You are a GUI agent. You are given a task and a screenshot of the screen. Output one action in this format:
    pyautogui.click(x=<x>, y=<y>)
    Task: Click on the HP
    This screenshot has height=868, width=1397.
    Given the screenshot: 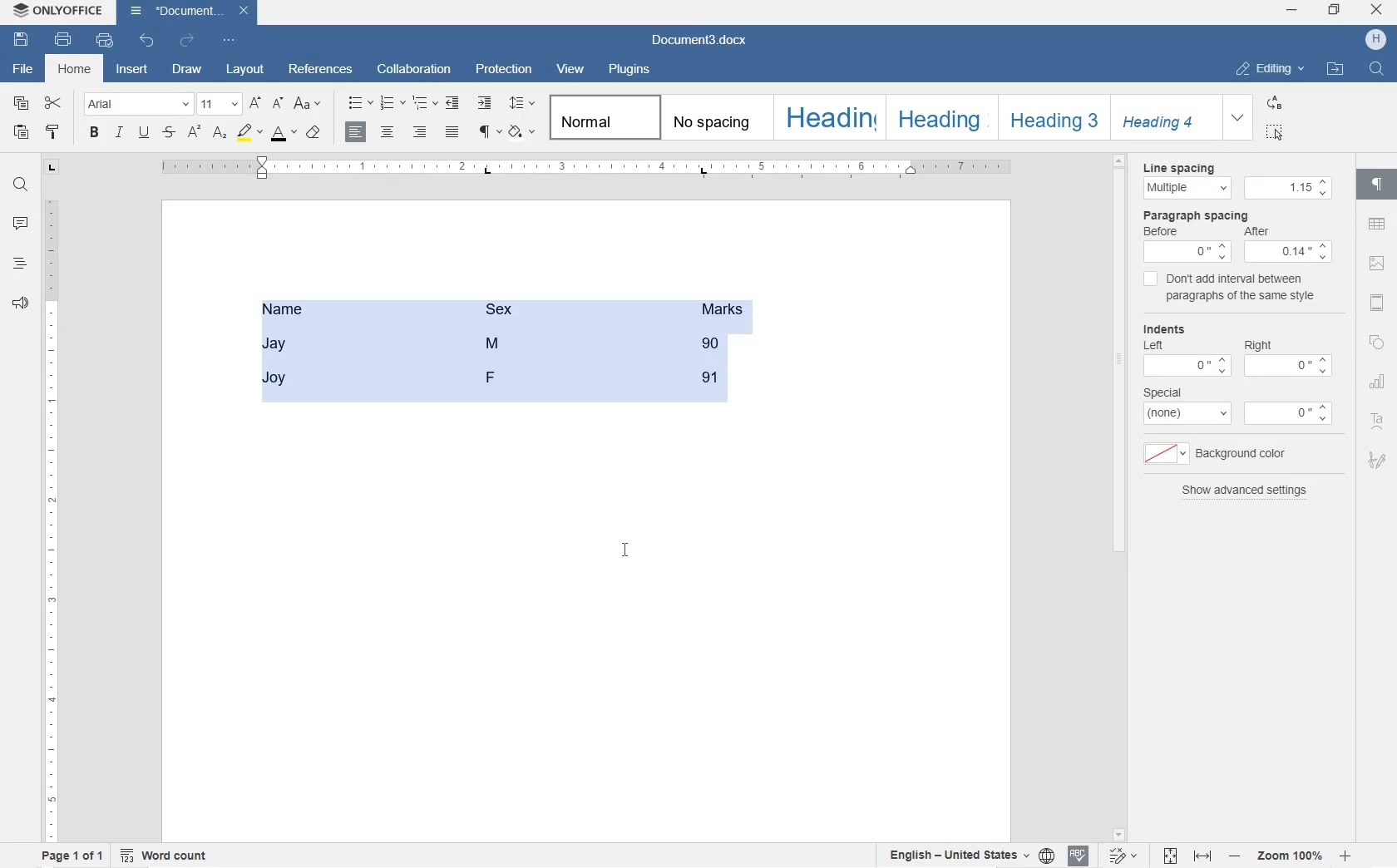 What is the action you would take?
    pyautogui.click(x=1378, y=38)
    